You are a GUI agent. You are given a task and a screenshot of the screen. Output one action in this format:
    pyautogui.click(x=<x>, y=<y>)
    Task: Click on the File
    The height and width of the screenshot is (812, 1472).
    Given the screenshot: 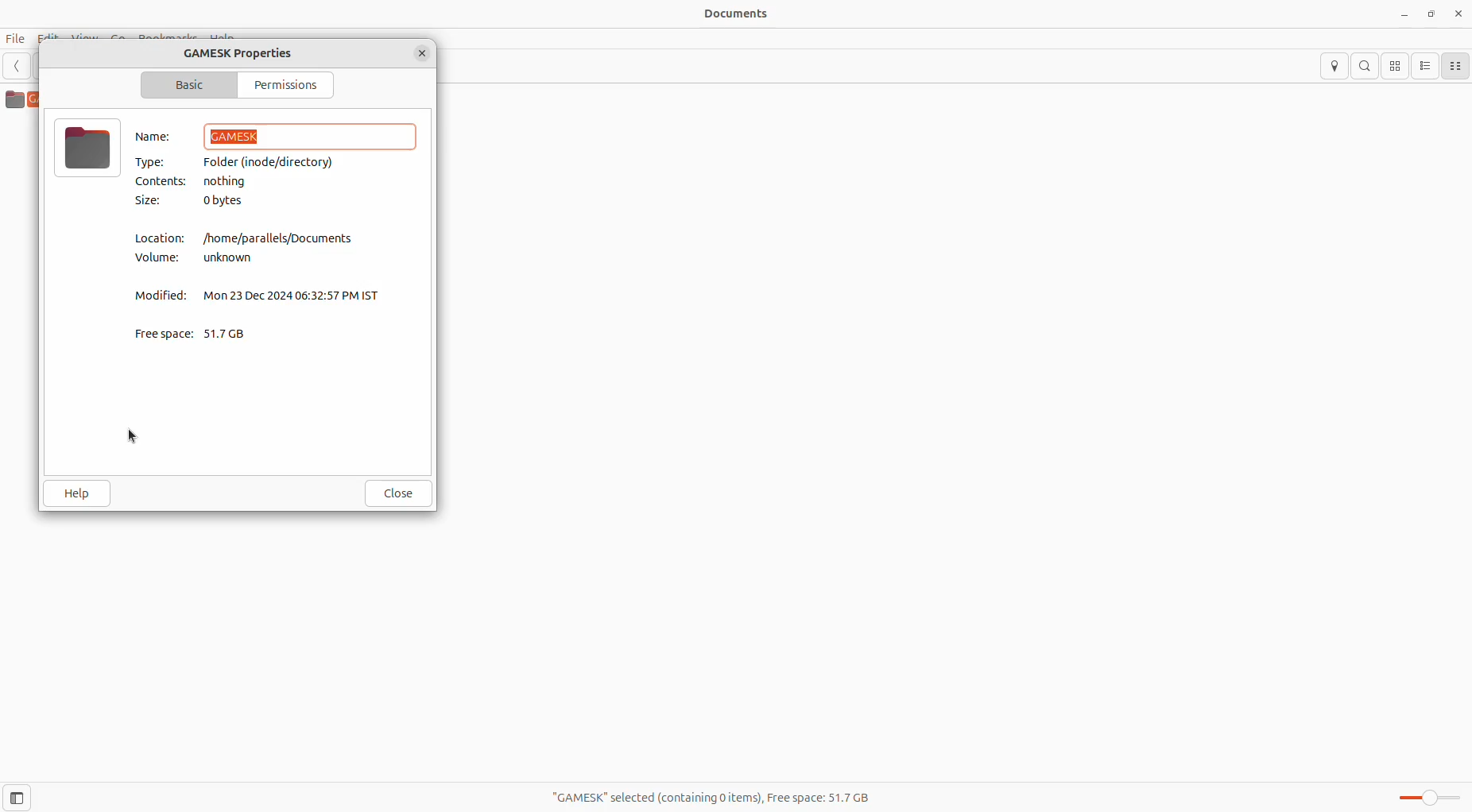 What is the action you would take?
    pyautogui.click(x=15, y=37)
    